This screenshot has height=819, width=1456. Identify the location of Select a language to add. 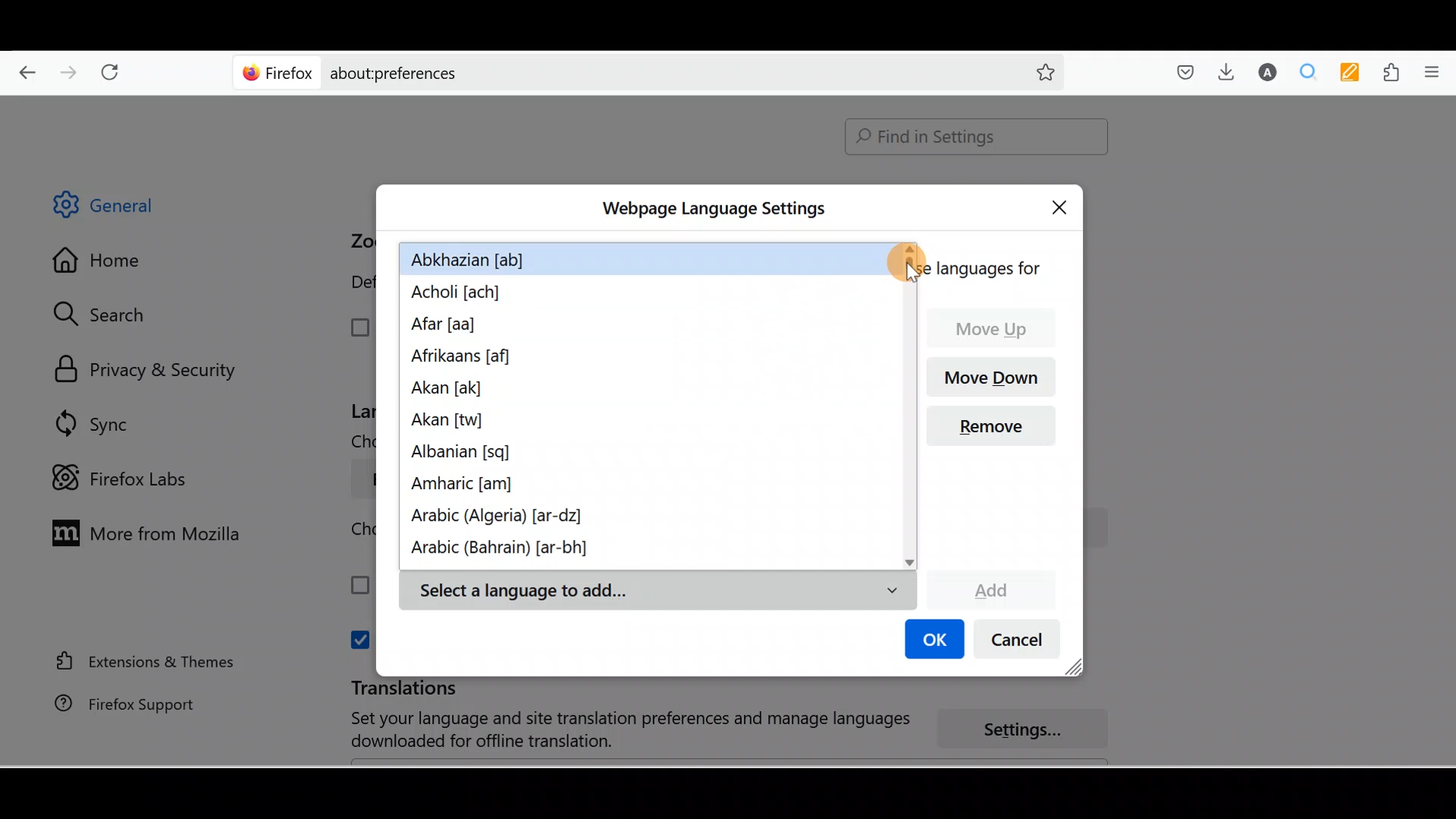
(657, 591).